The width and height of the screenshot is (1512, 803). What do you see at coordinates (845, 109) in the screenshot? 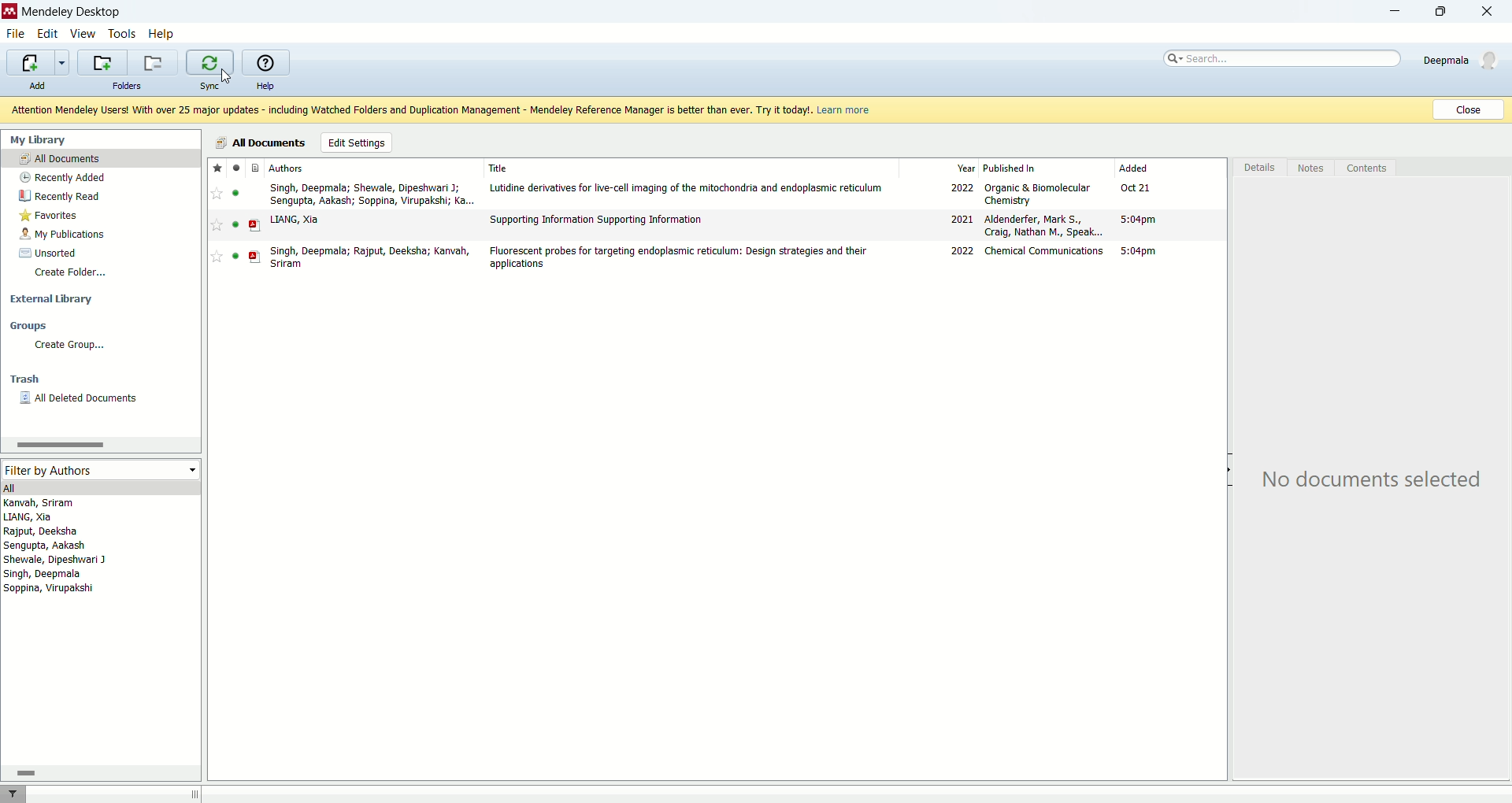
I see `Learn more` at bounding box center [845, 109].